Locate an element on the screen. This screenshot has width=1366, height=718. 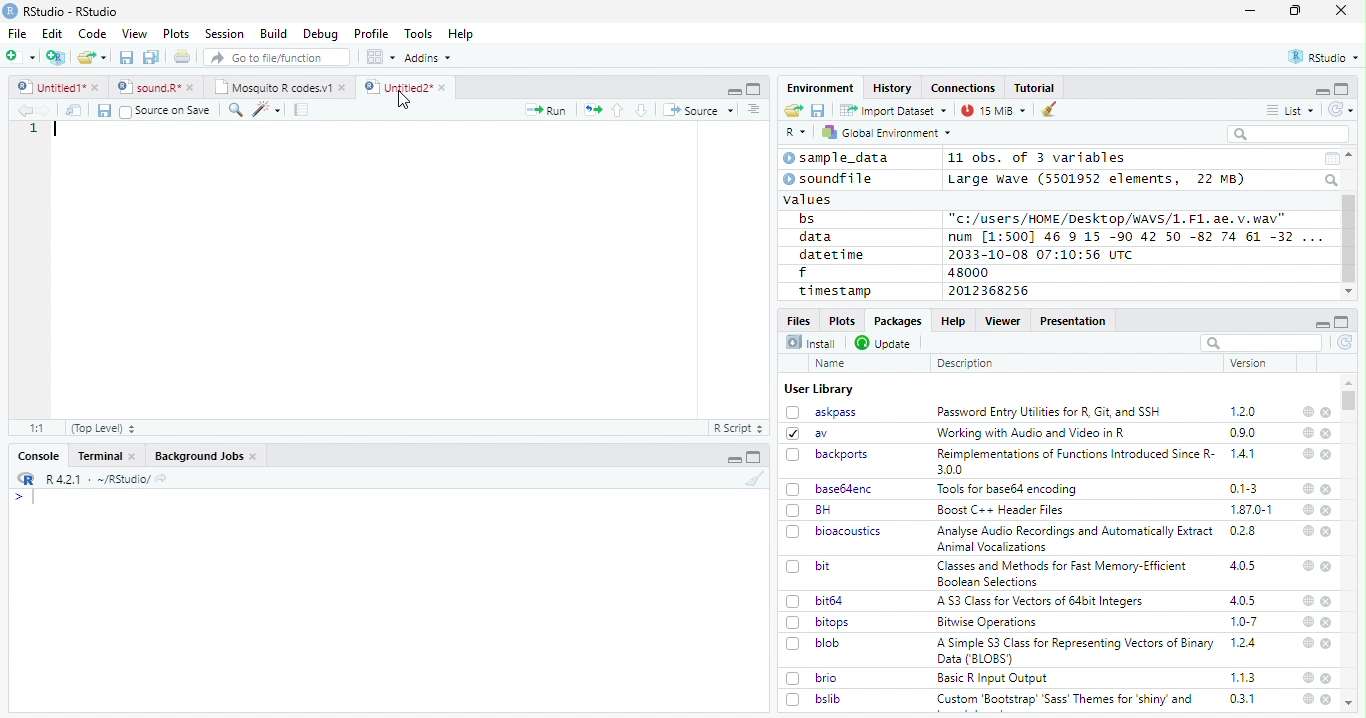
User Library is located at coordinates (819, 389).